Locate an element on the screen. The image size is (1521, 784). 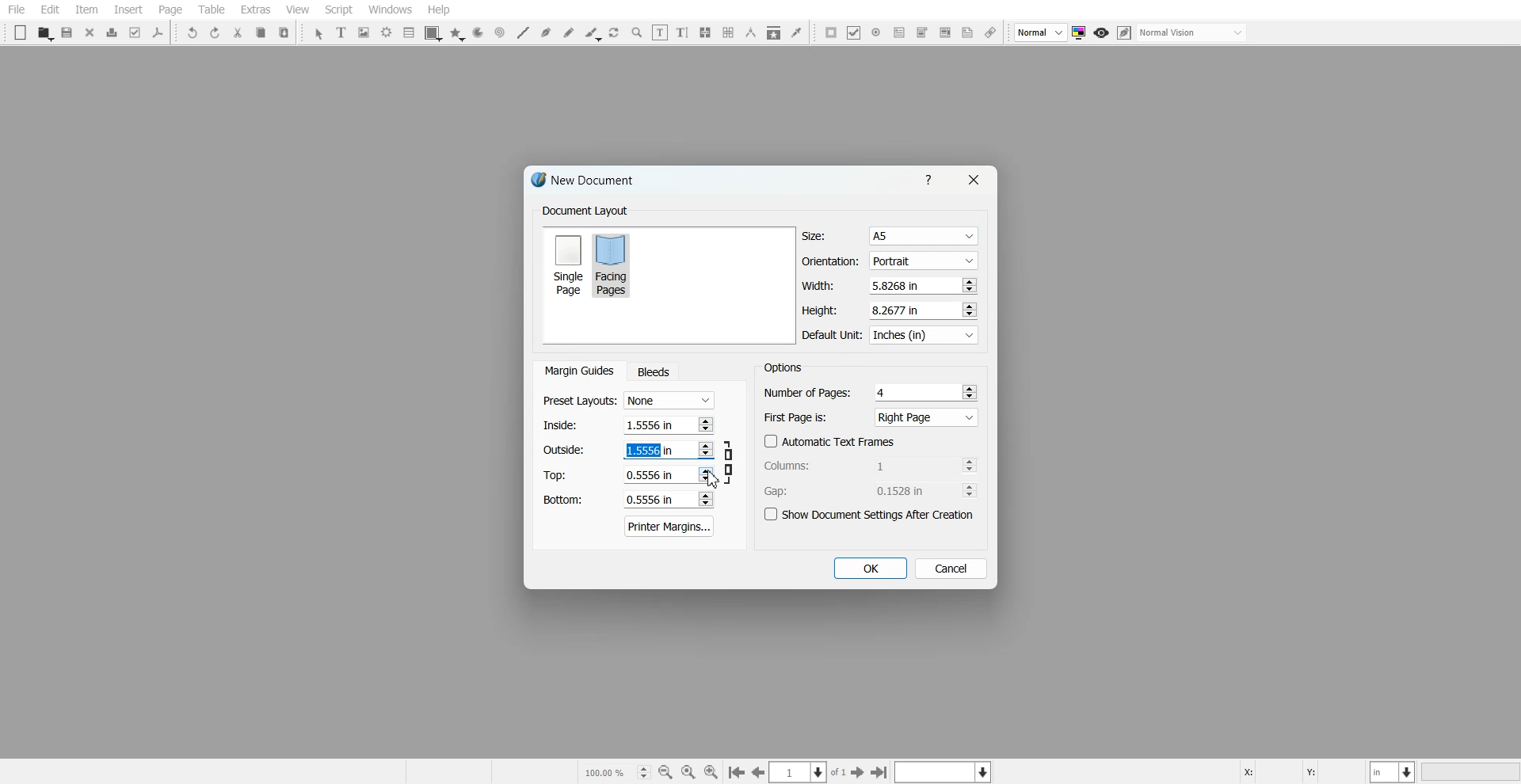
Automatic Text Frames is located at coordinates (830, 441).